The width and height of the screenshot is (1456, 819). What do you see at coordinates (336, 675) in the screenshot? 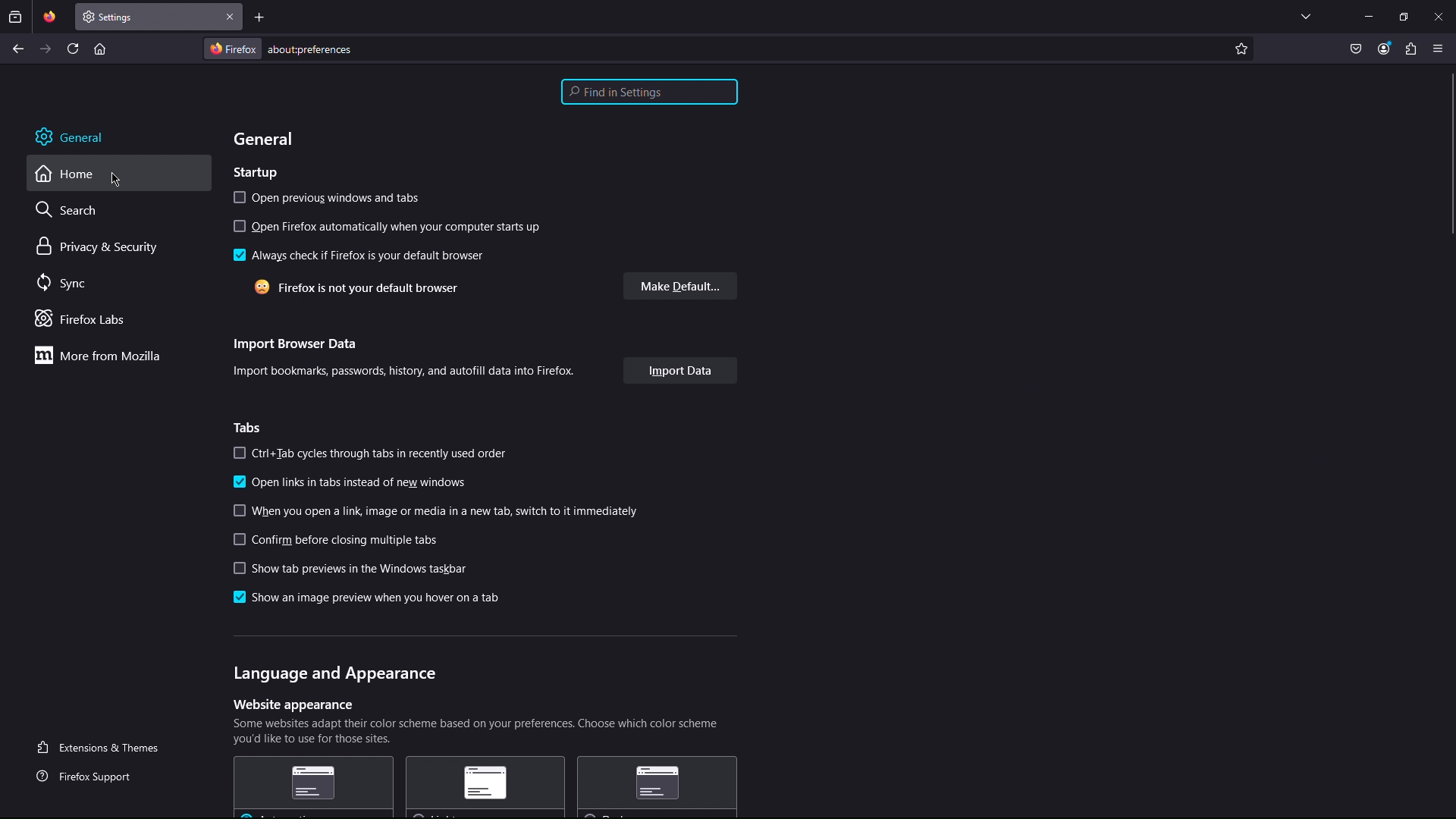
I see `Language and Appearance` at bounding box center [336, 675].